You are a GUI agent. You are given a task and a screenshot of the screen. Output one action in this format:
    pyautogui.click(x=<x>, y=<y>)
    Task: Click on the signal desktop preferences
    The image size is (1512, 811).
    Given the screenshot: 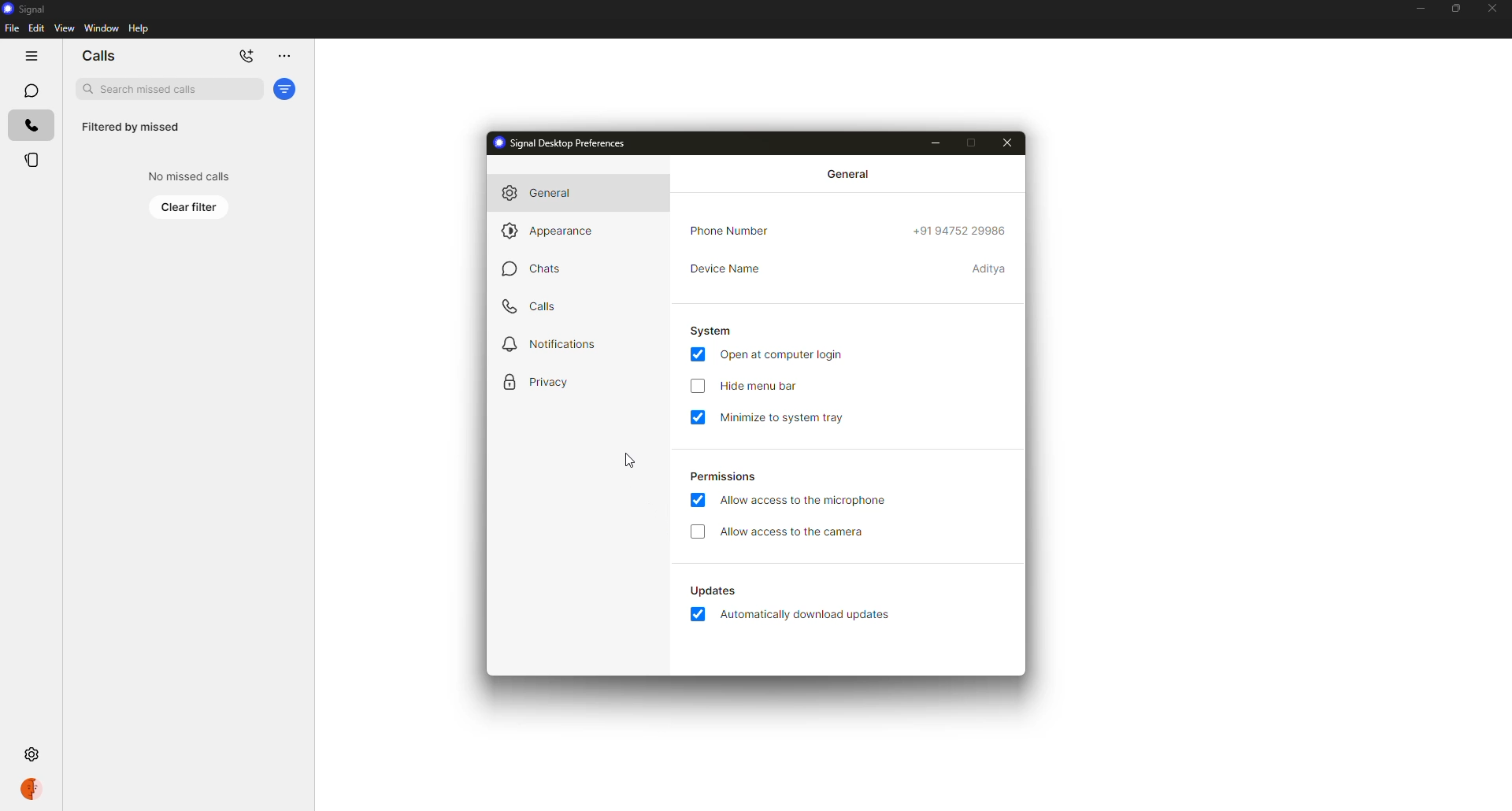 What is the action you would take?
    pyautogui.click(x=568, y=143)
    